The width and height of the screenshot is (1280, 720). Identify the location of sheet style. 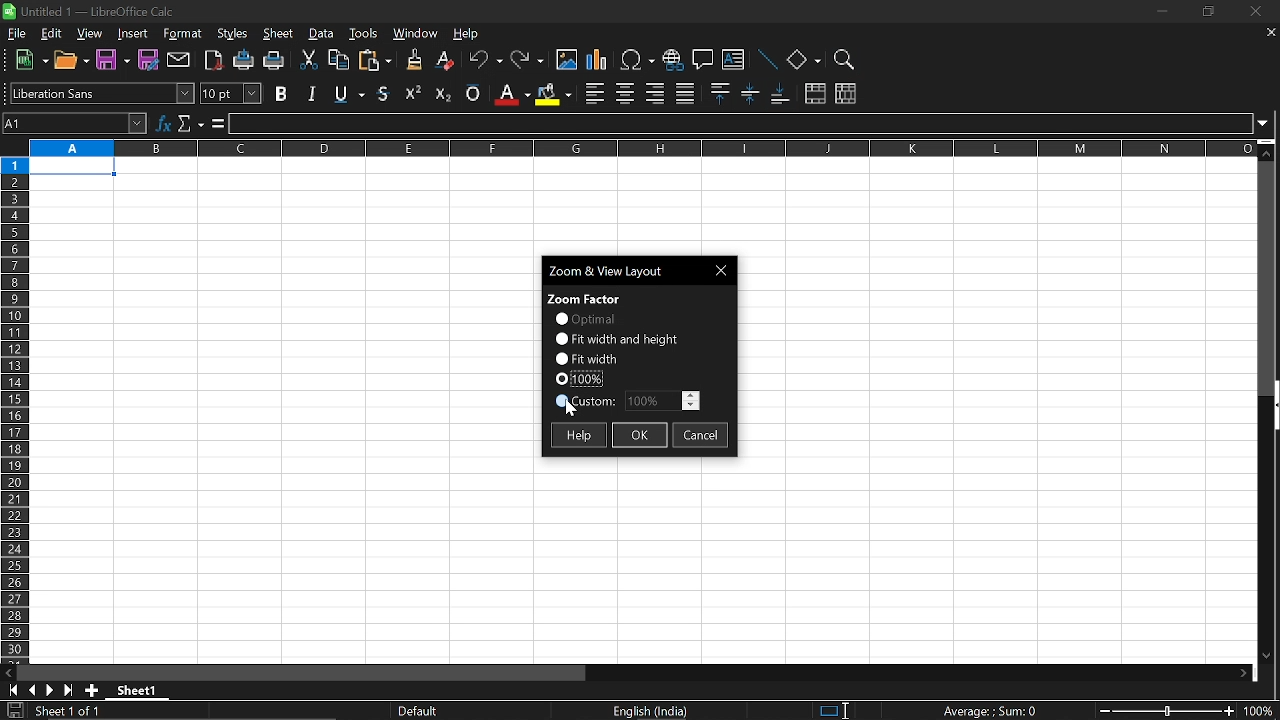
(421, 711).